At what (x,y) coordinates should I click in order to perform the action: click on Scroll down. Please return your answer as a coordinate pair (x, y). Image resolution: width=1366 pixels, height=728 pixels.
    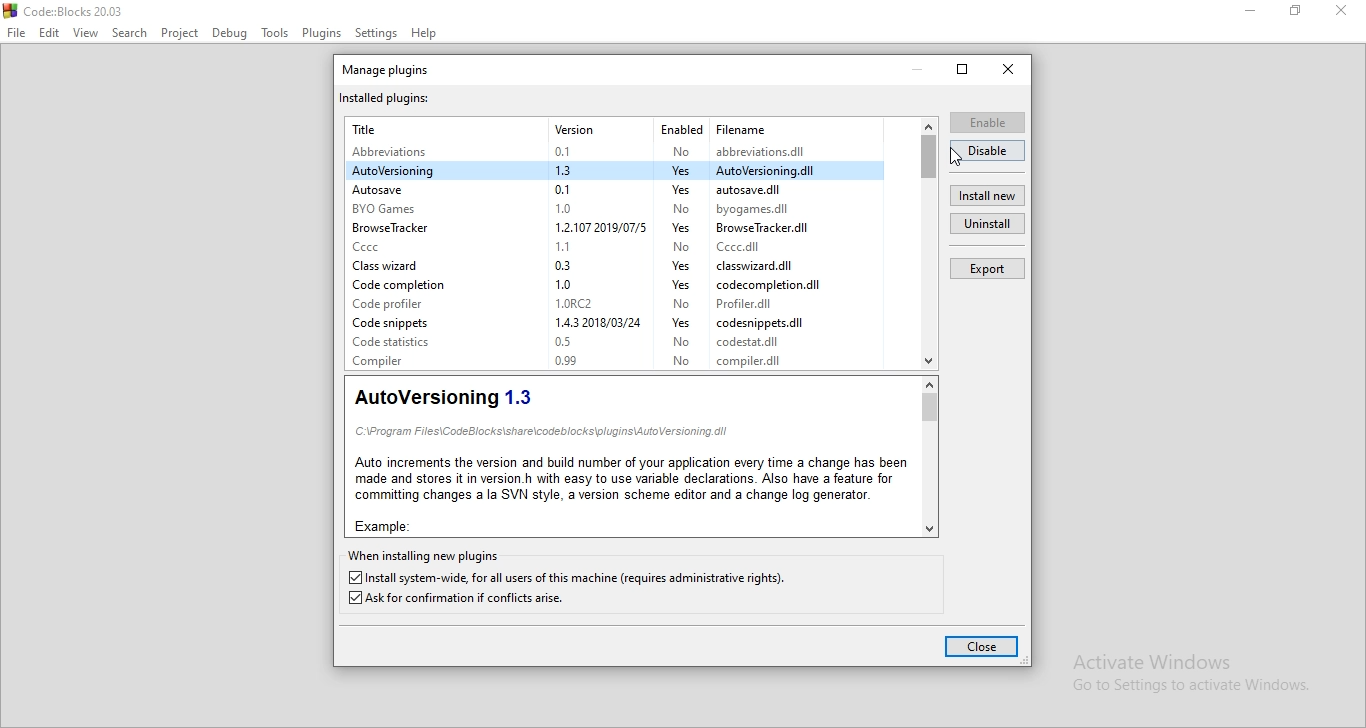
    Looking at the image, I should click on (930, 362).